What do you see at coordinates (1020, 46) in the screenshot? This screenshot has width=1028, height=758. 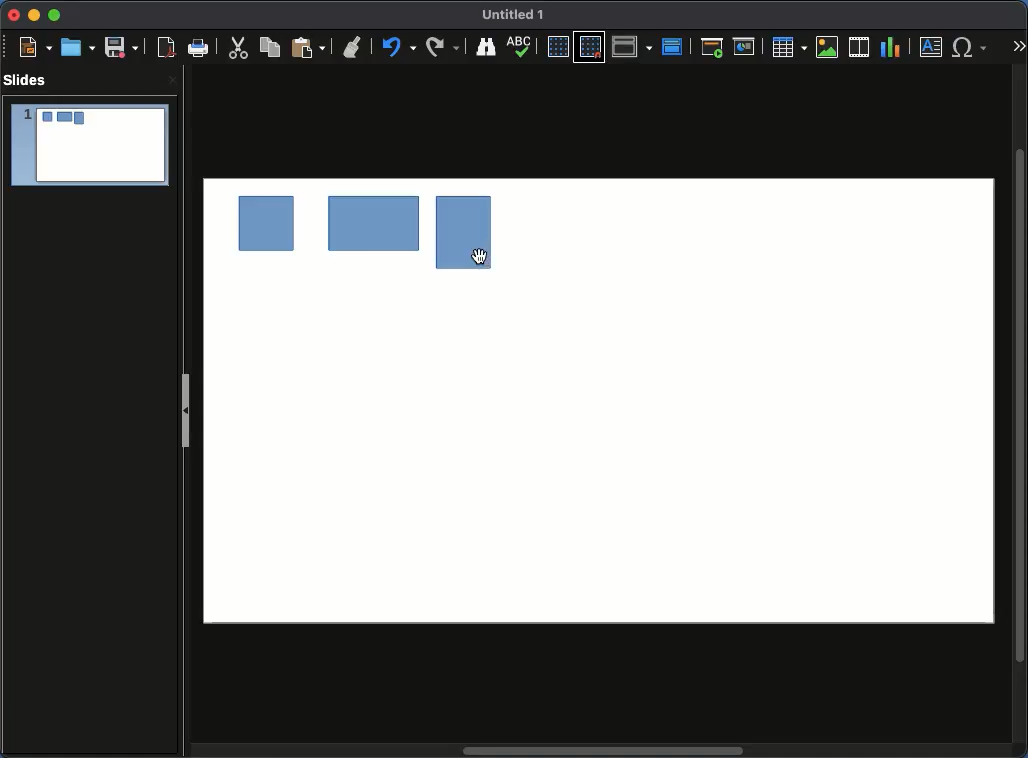 I see `More` at bounding box center [1020, 46].